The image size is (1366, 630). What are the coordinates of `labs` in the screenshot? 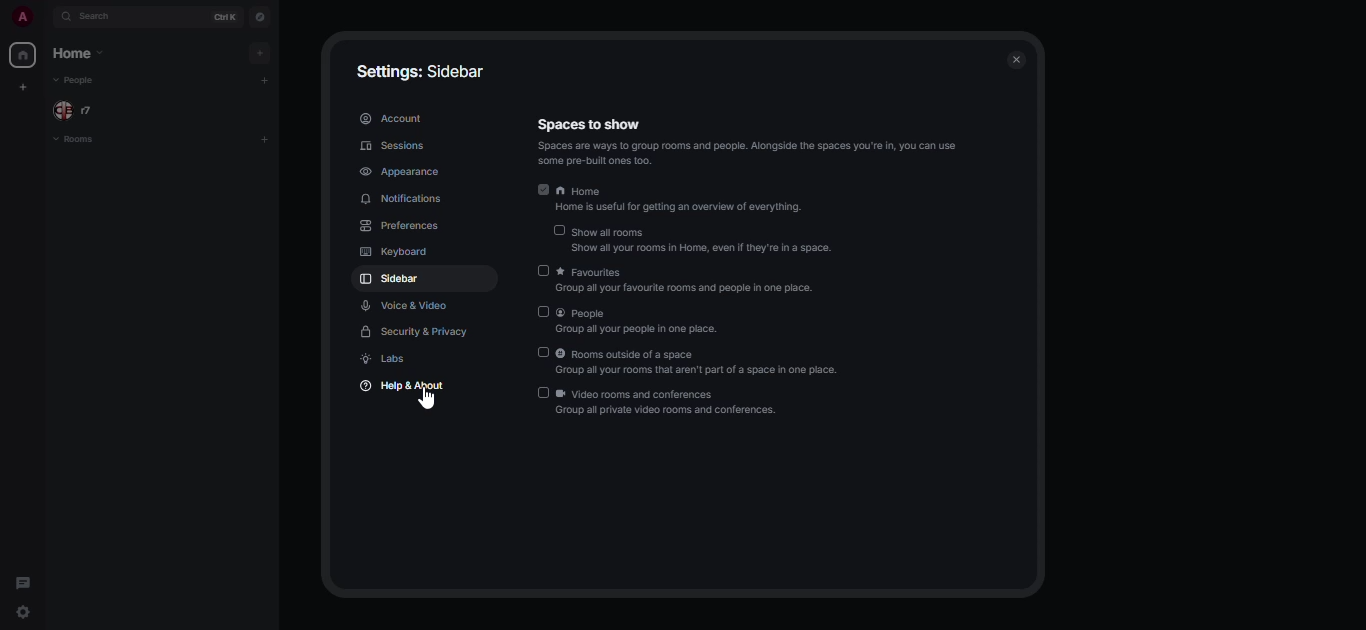 It's located at (390, 358).